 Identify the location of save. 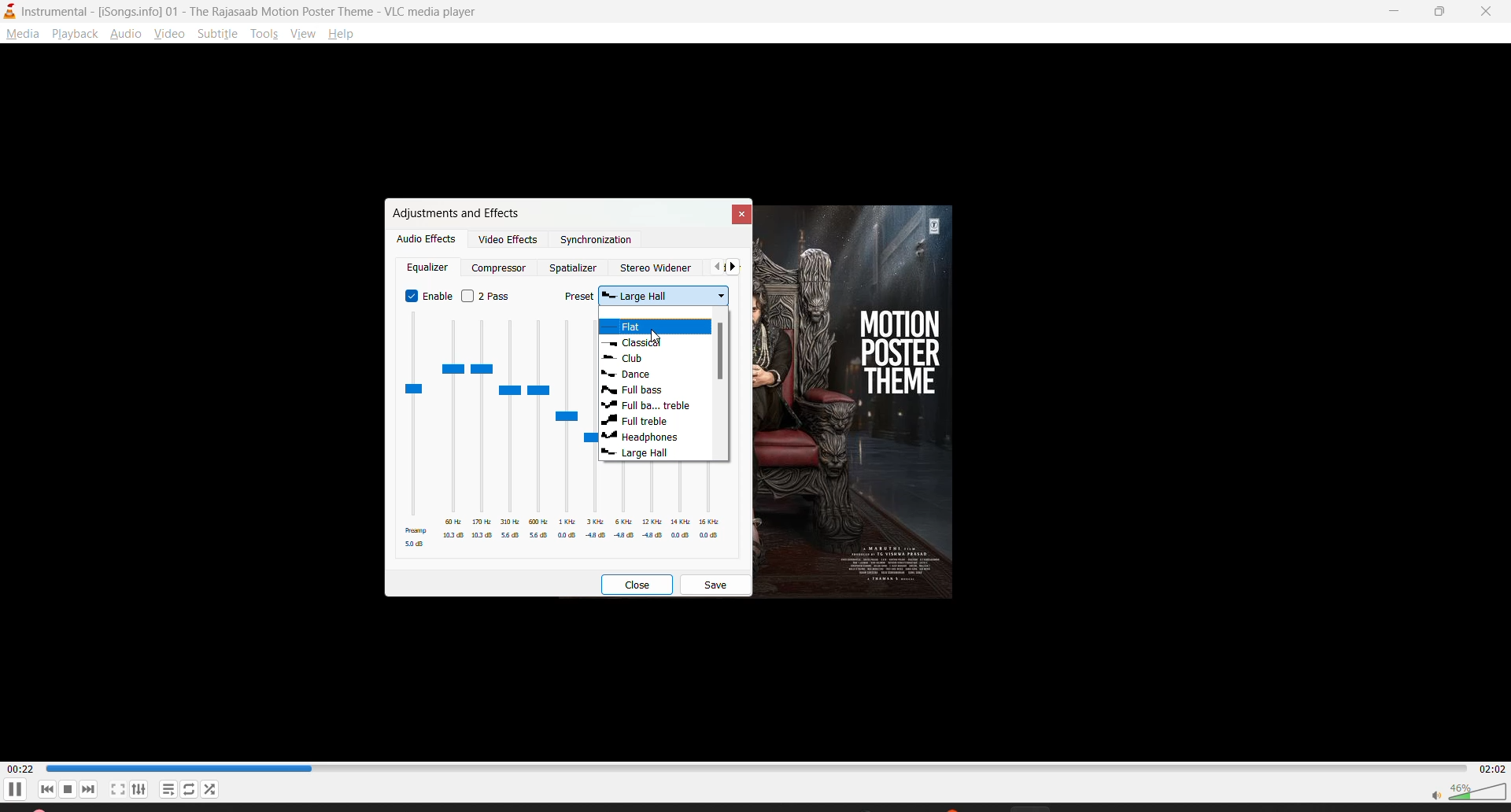
(718, 584).